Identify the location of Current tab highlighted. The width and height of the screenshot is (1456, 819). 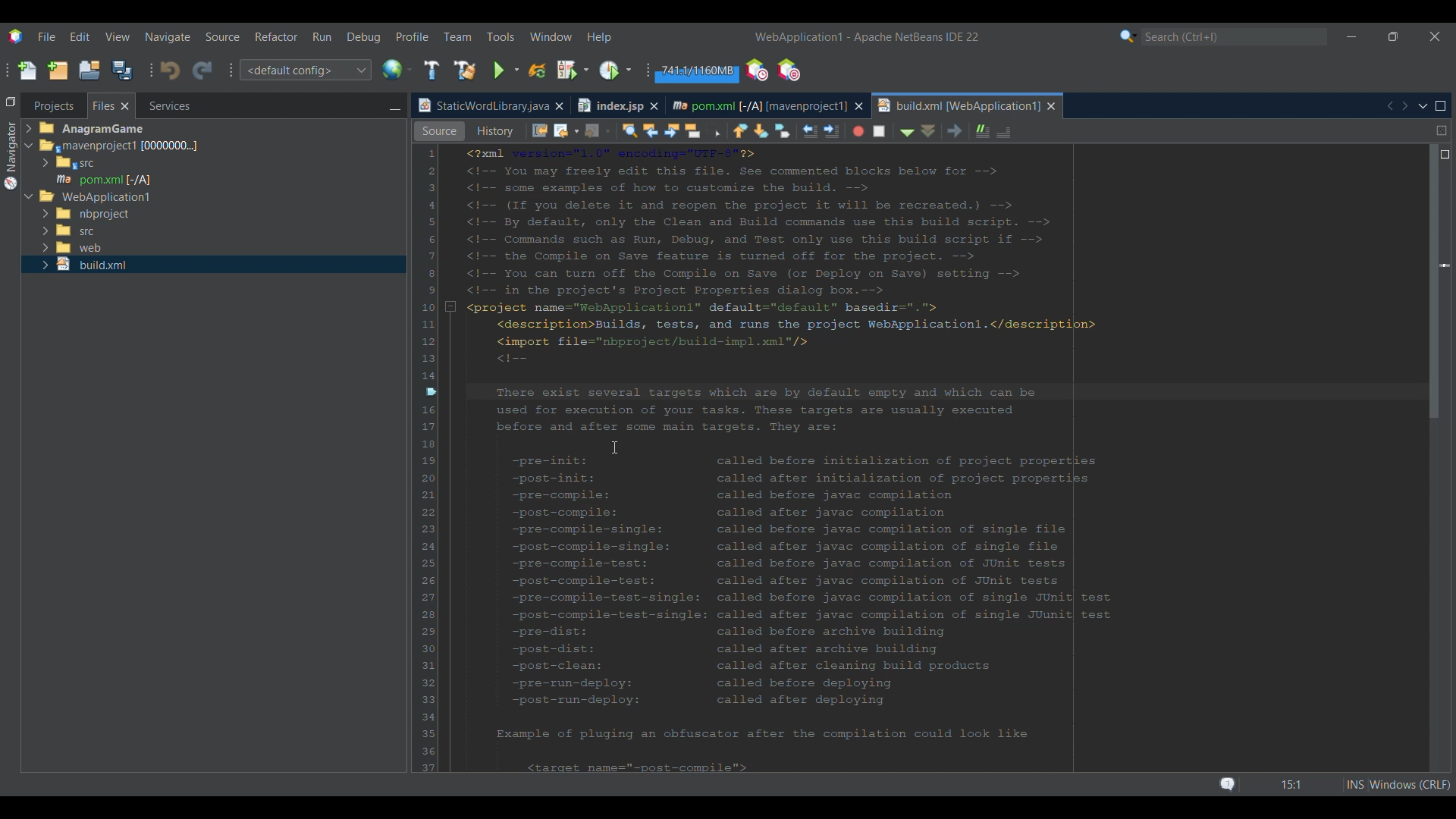
(482, 106).